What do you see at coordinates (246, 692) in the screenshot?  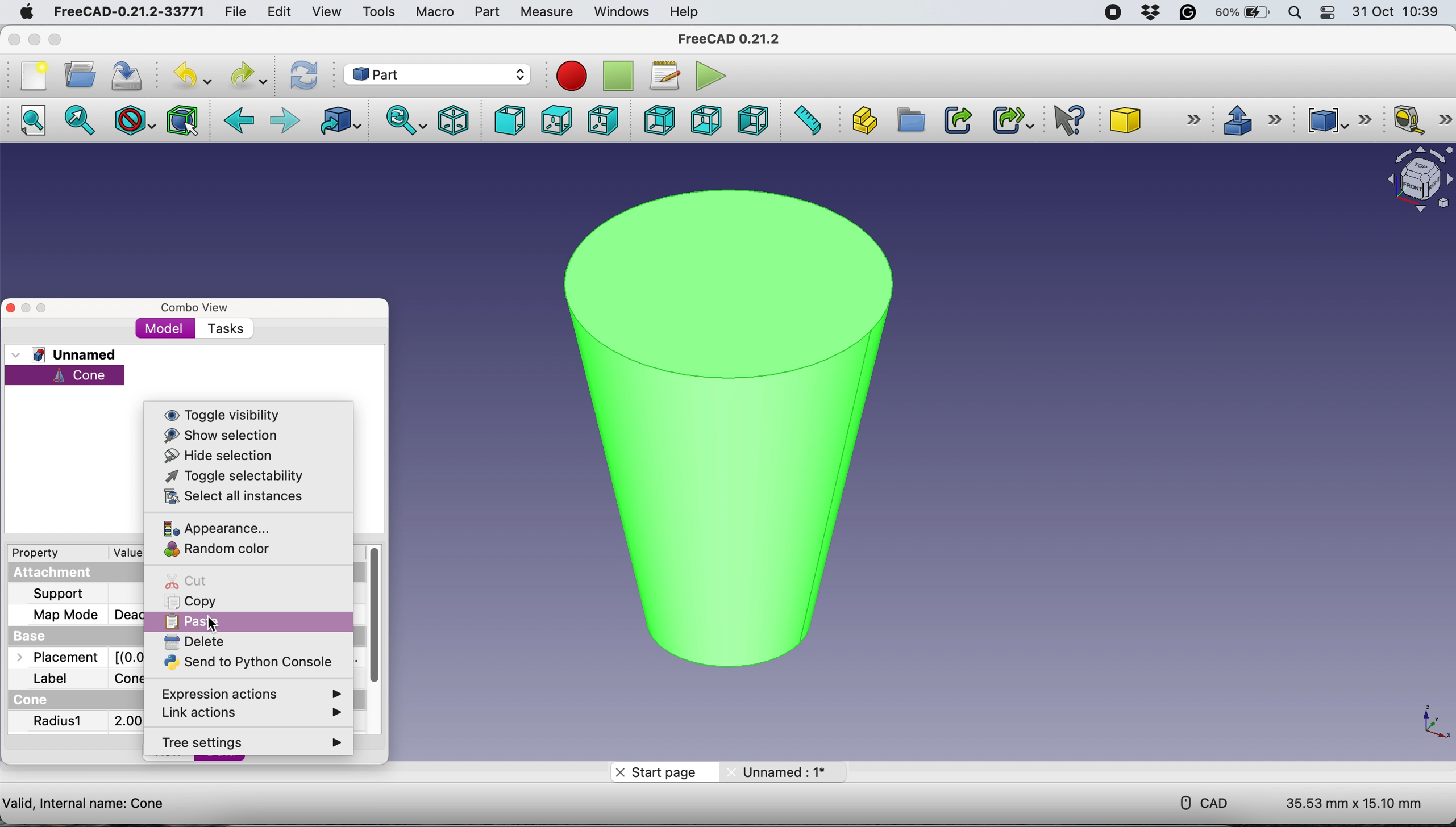 I see `expression actions` at bounding box center [246, 692].